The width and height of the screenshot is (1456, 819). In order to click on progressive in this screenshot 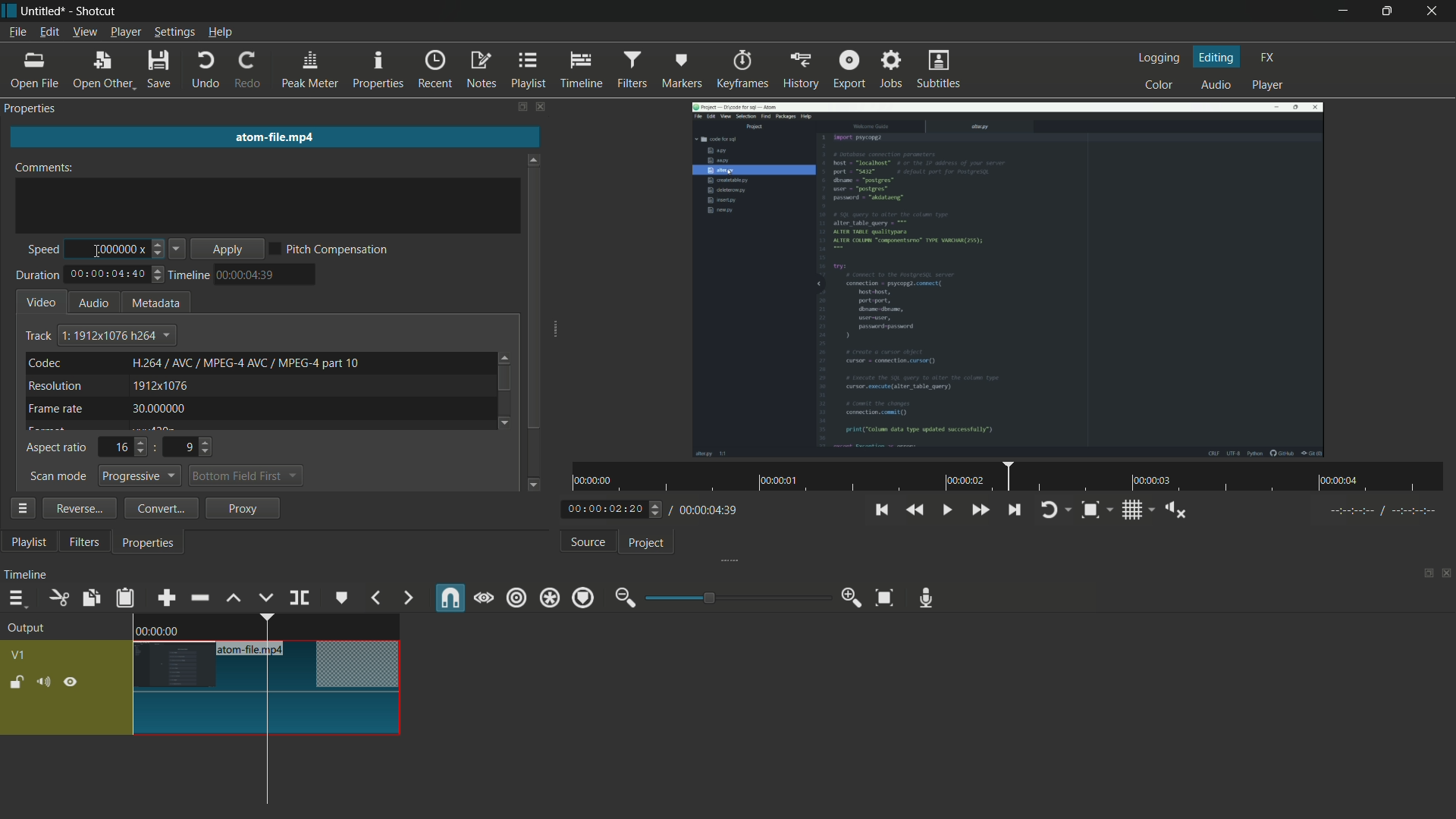, I will do `click(141, 475)`.